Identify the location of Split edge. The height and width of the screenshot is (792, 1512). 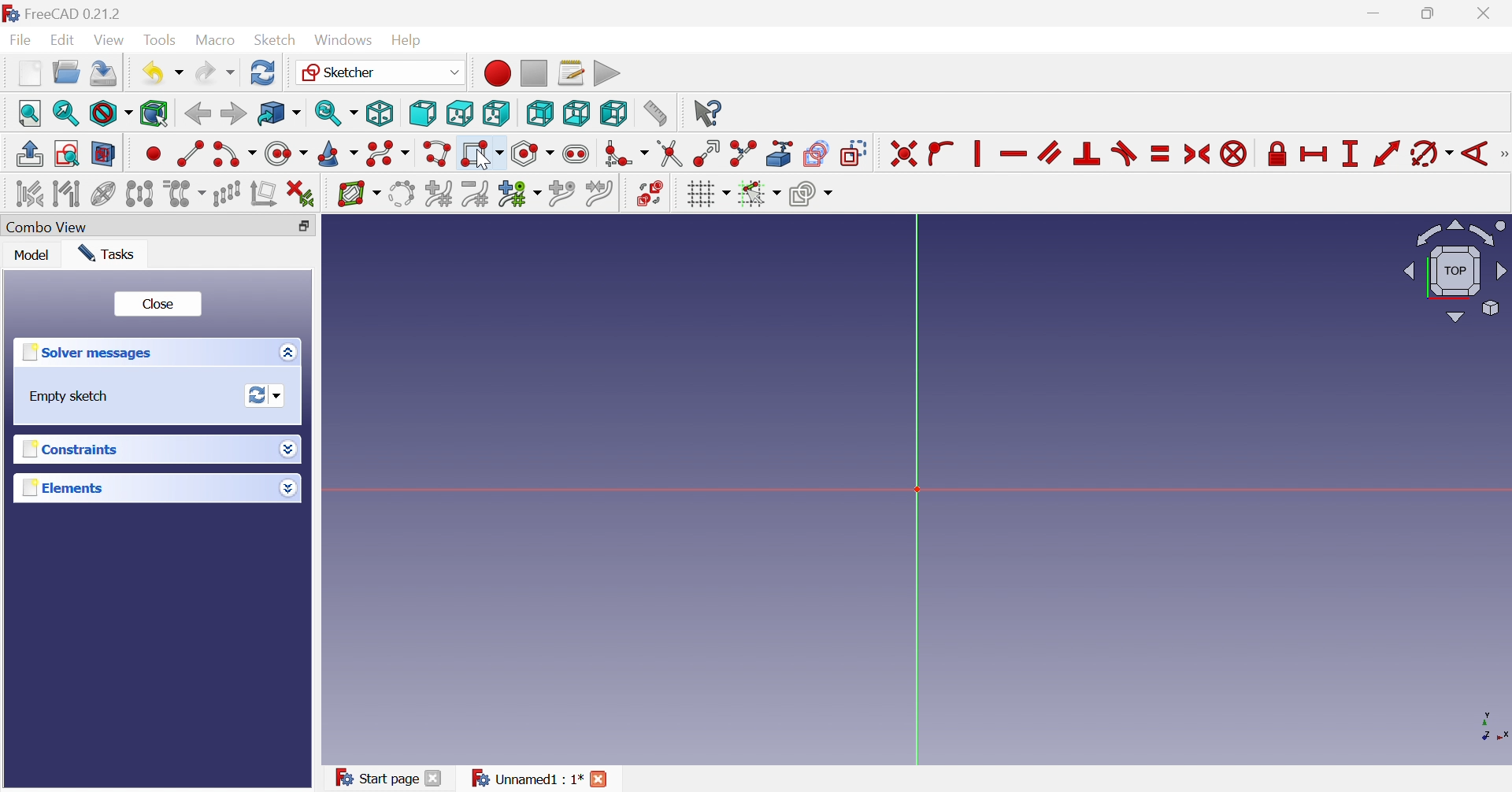
(744, 154).